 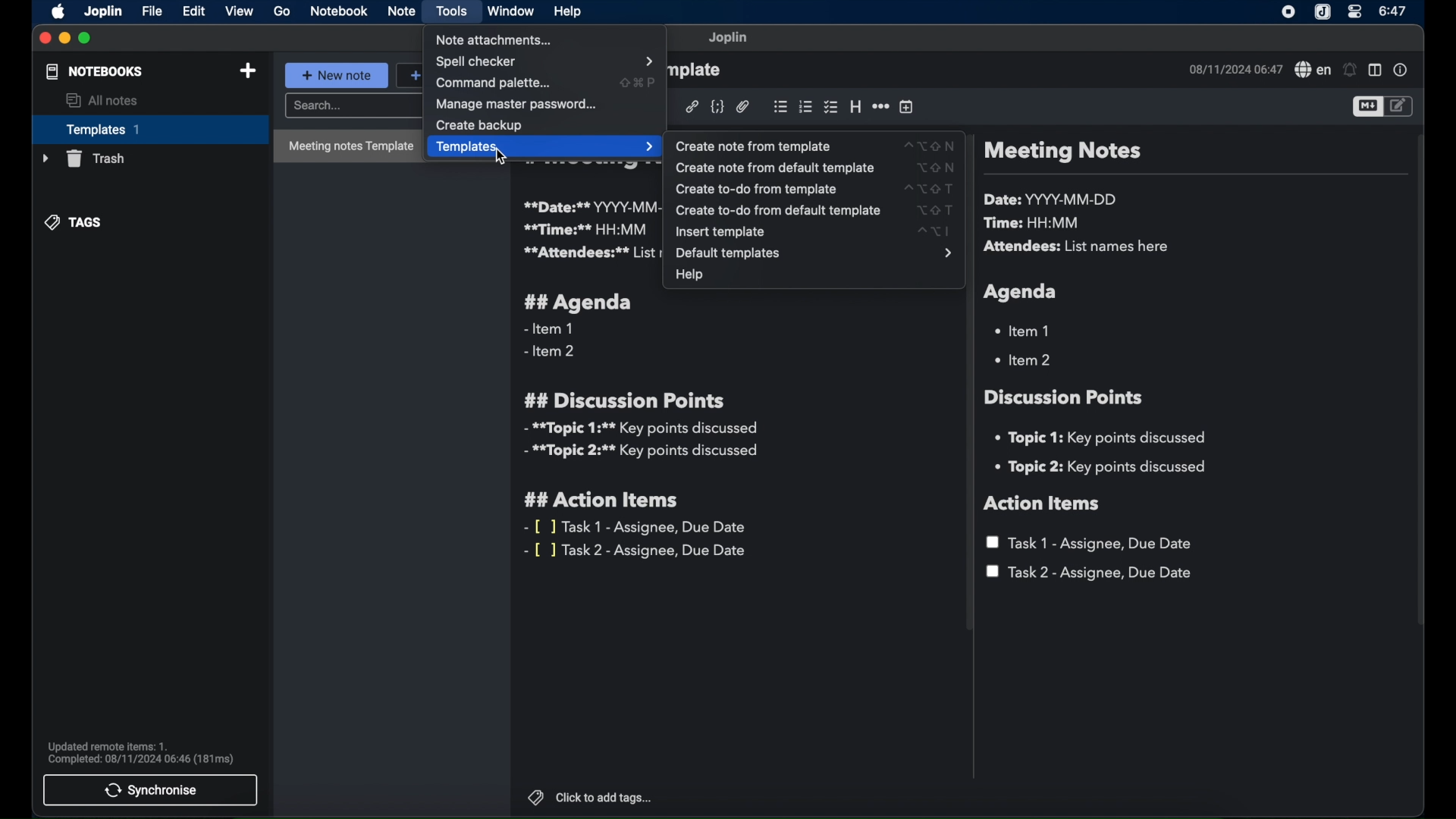 I want to click on click to add tags, so click(x=591, y=798).